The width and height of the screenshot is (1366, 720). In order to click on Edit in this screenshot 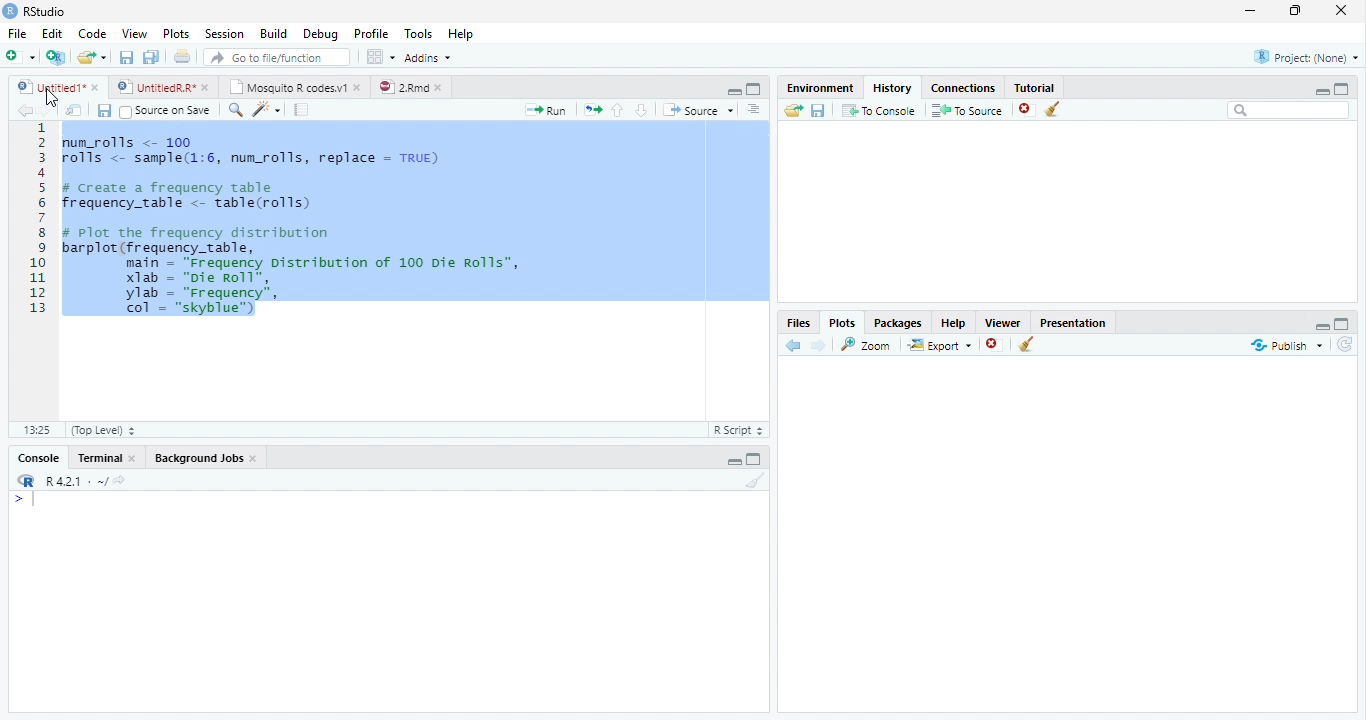, I will do `click(53, 31)`.